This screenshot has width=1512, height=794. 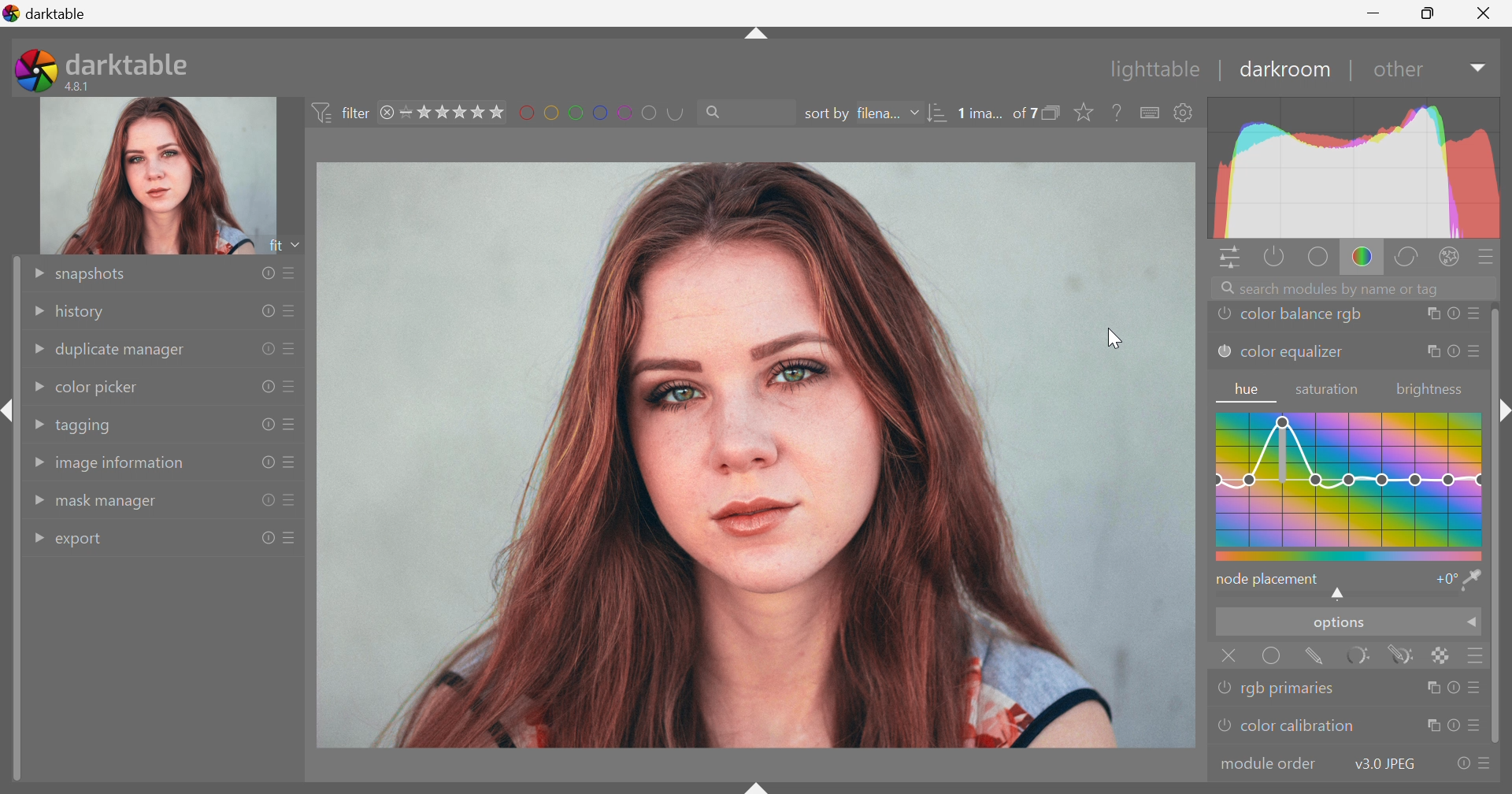 What do you see at coordinates (292, 389) in the screenshot?
I see `presets` at bounding box center [292, 389].